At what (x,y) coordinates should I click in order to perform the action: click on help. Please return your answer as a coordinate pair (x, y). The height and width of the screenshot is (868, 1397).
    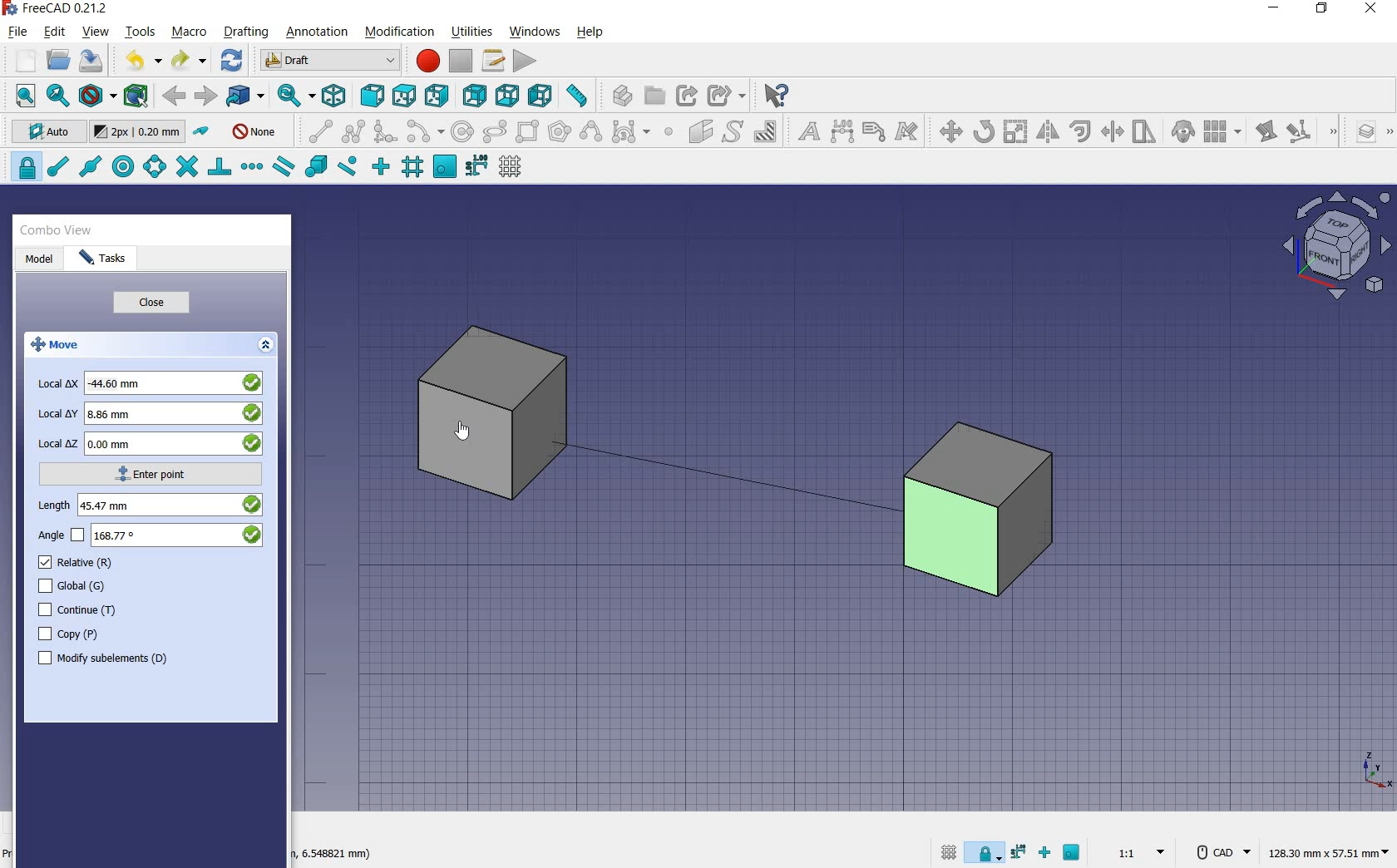
    Looking at the image, I should click on (590, 32).